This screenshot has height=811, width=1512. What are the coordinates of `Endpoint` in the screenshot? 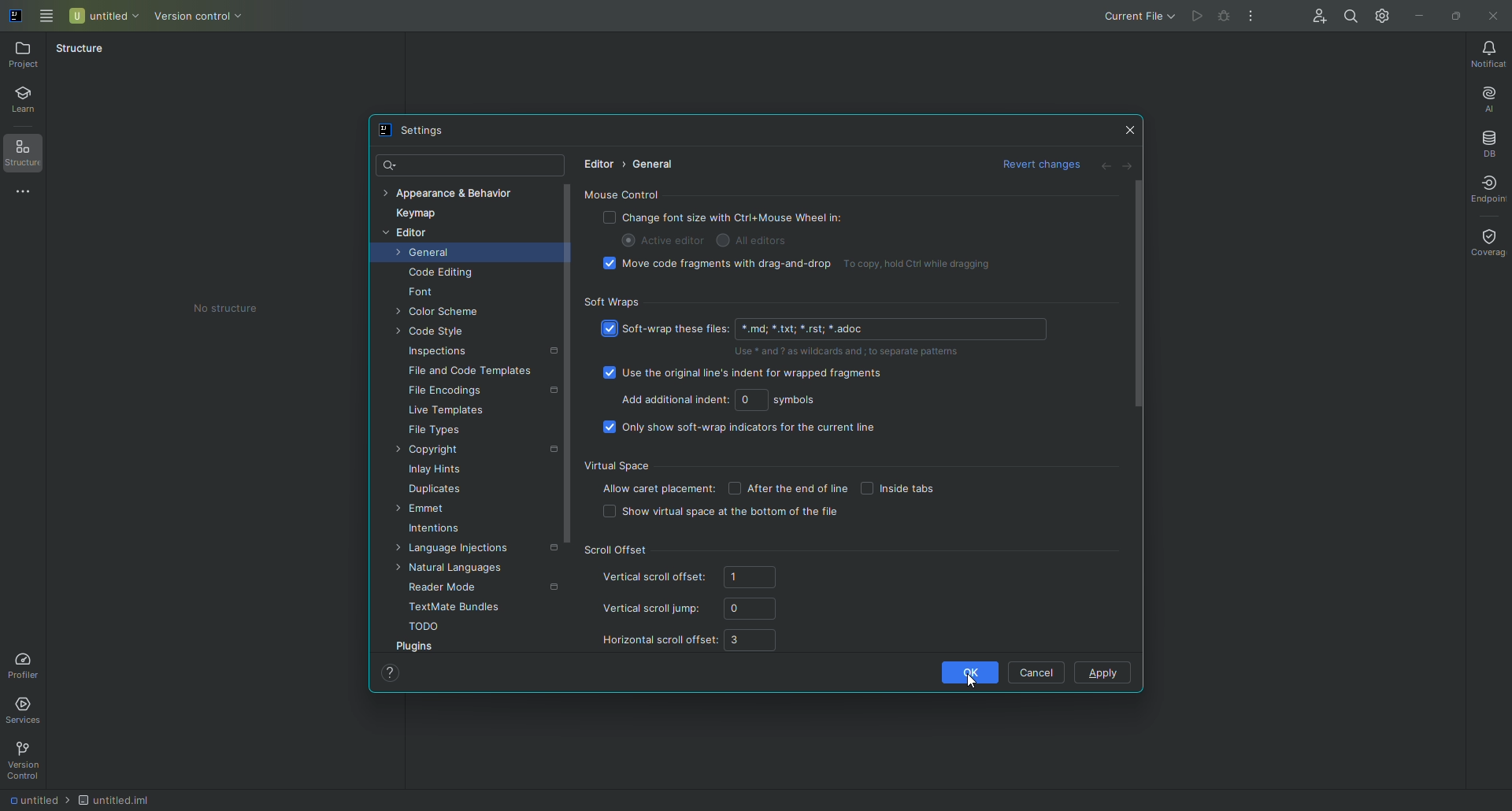 It's located at (1481, 188).